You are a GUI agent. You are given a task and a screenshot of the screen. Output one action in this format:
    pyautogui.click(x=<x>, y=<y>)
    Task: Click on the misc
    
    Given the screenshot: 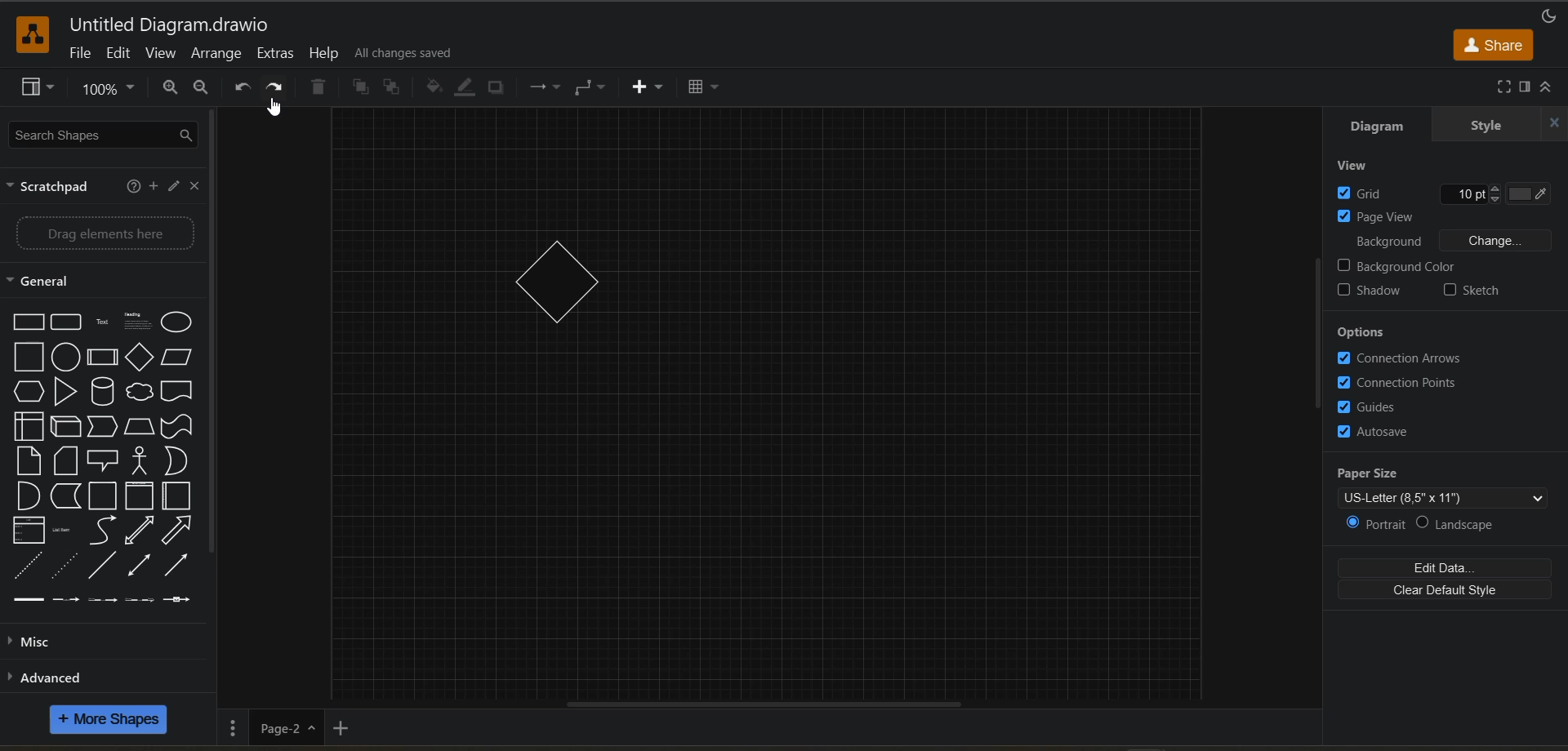 What is the action you would take?
    pyautogui.click(x=33, y=640)
    